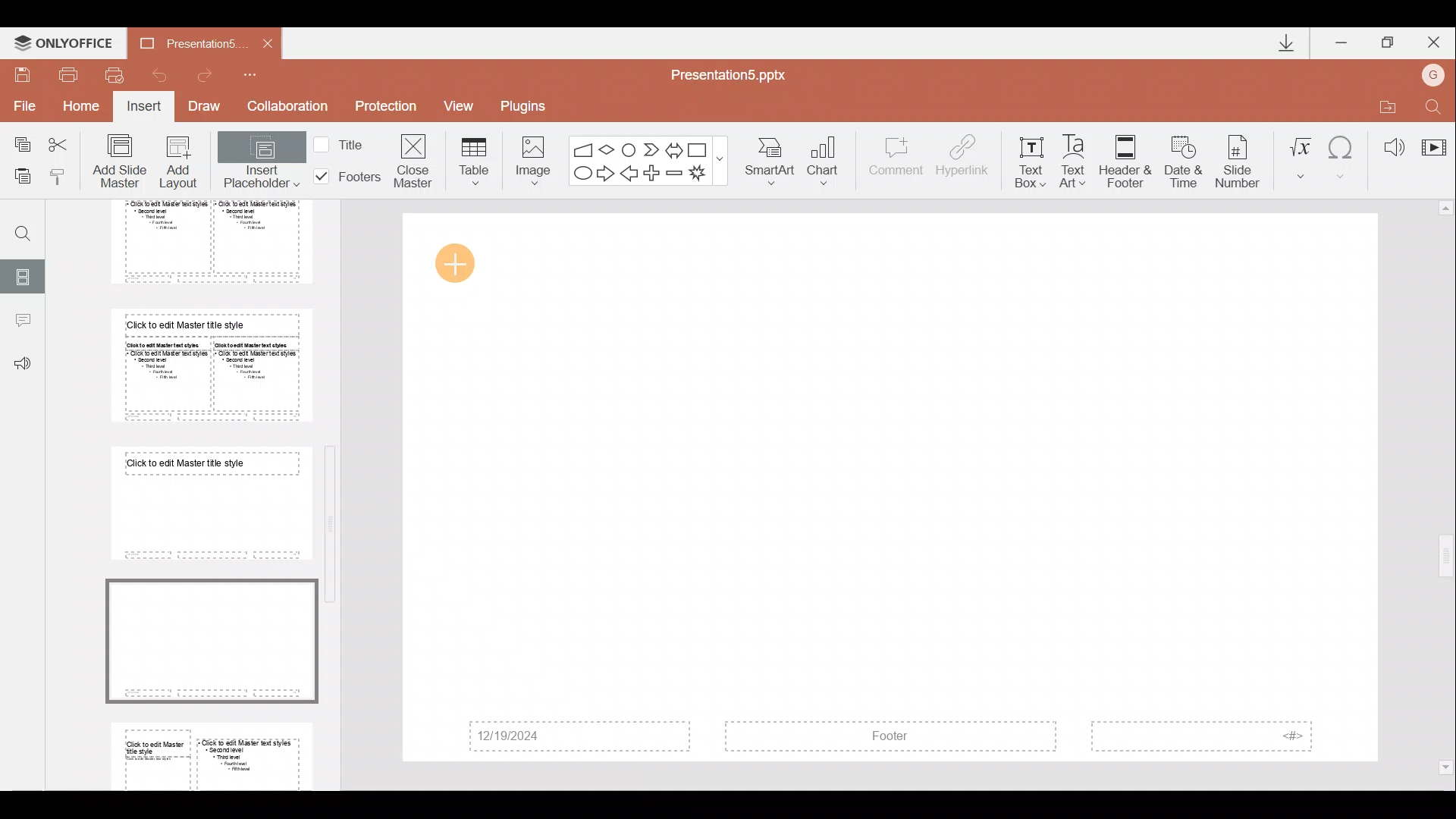 This screenshot has width=1456, height=819. What do you see at coordinates (896, 163) in the screenshot?
I see `Comment` at bounding box center [896, 163].